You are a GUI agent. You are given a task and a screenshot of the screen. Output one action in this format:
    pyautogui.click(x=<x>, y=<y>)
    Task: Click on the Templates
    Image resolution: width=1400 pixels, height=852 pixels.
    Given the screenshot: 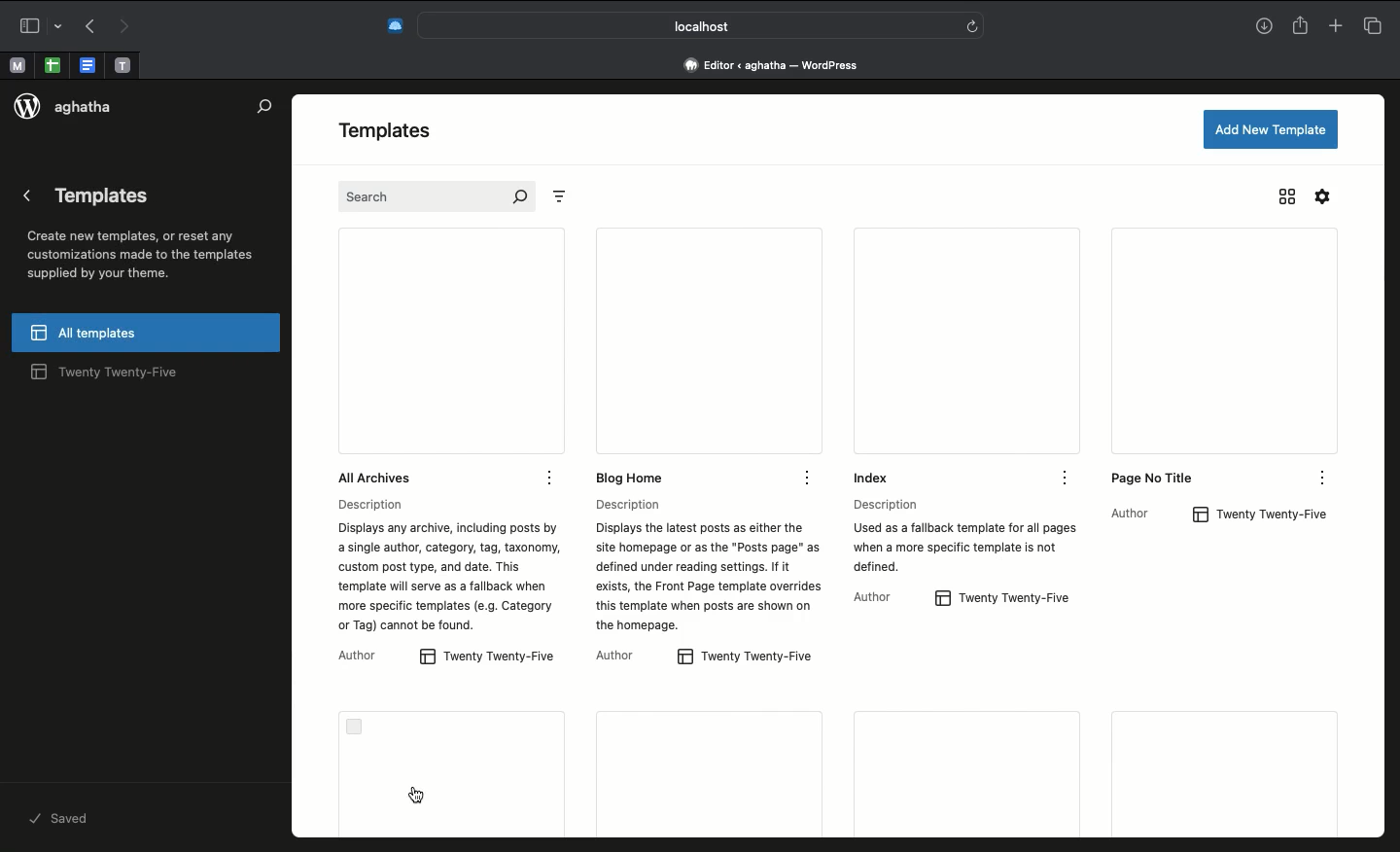 What is the action you would take?
    pyautogui.click(x=136, y=239)
    